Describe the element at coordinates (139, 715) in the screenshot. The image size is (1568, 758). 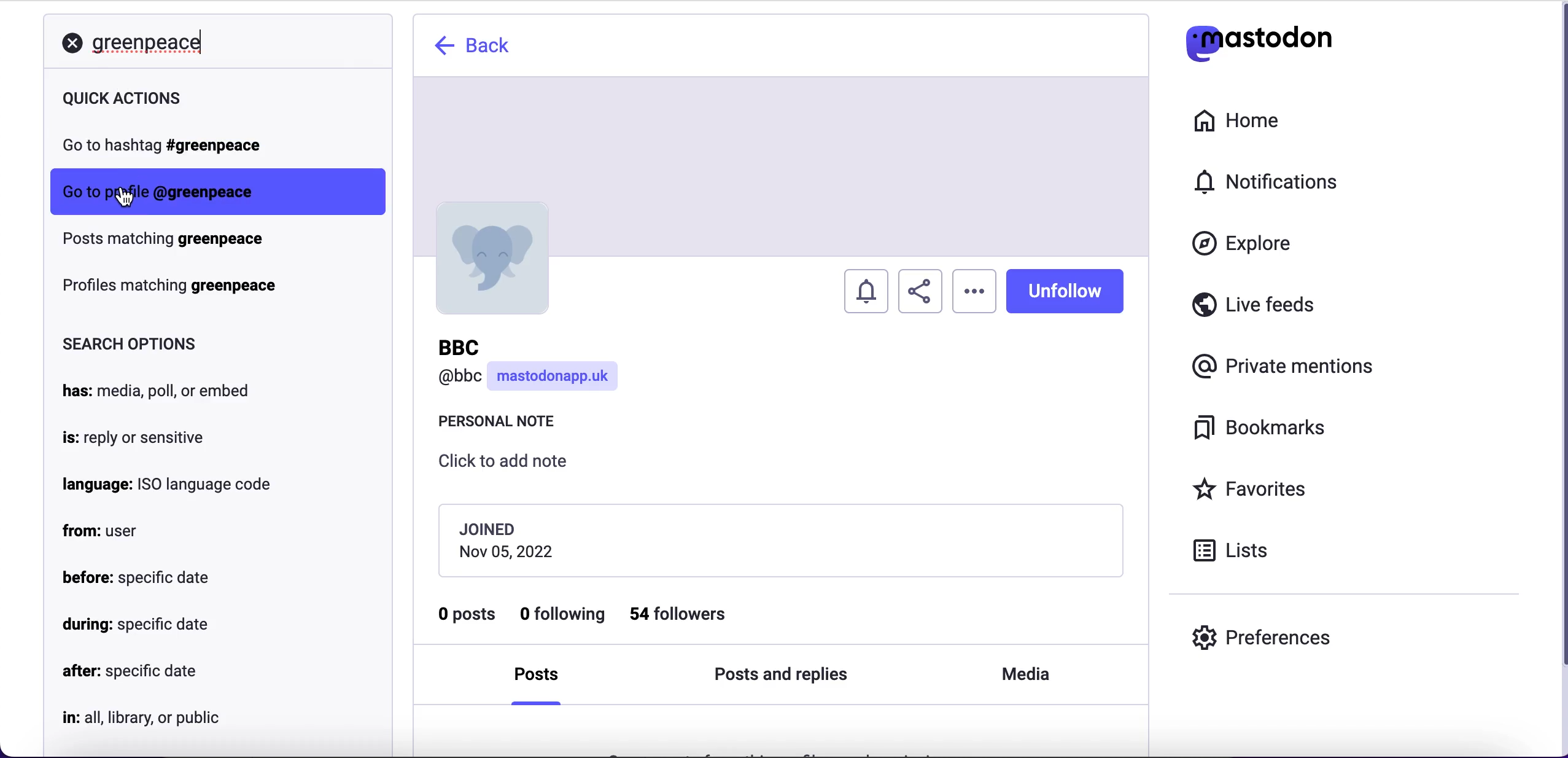
I see `in` at that location.